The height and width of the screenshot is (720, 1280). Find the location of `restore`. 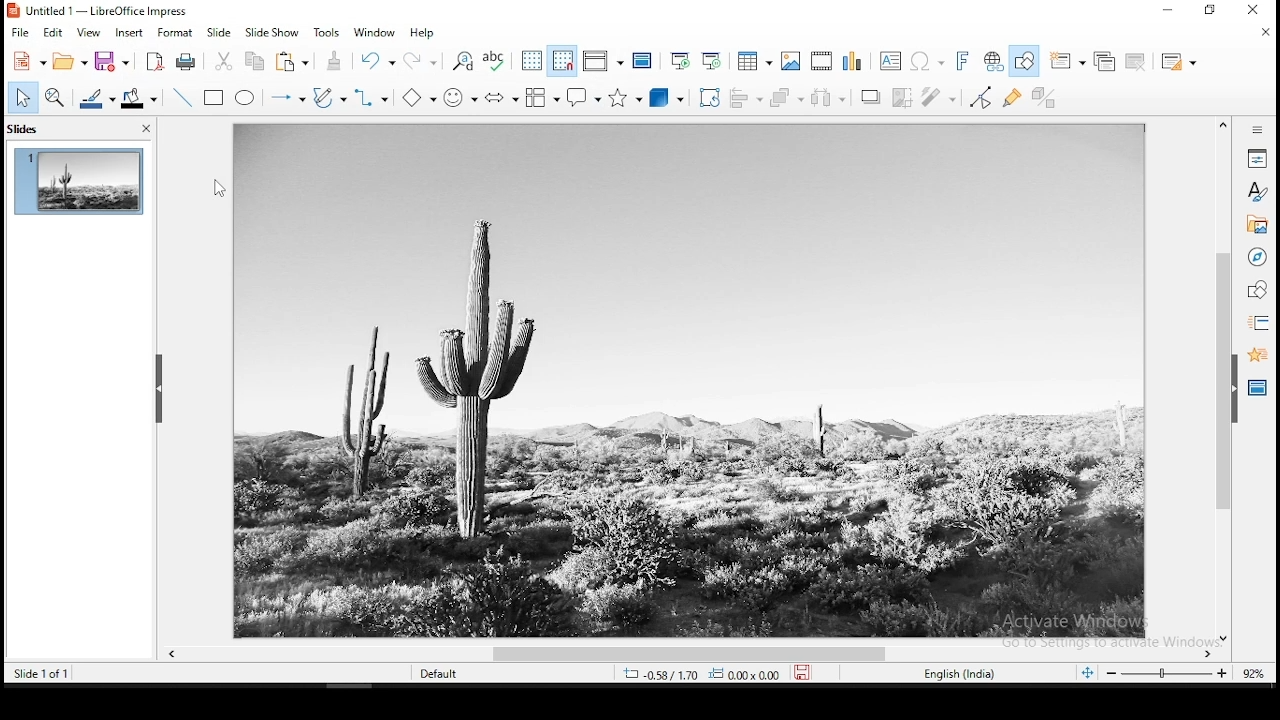

restore is located at coordinates (1206, 10).